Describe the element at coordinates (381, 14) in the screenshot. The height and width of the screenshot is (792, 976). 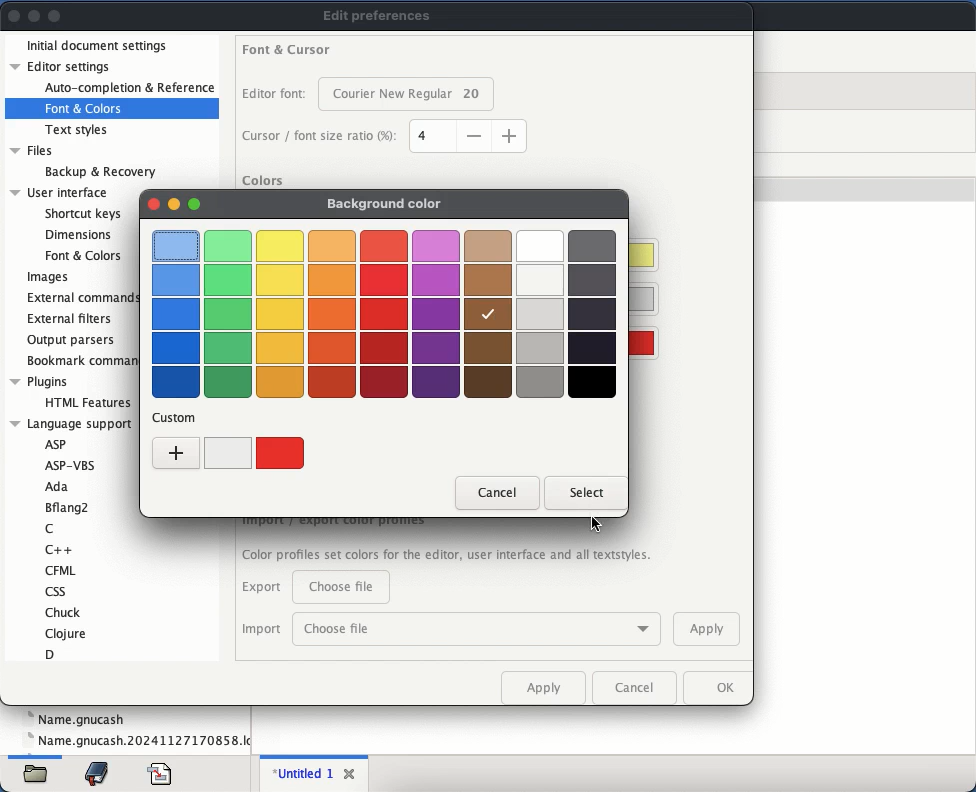
I see `edit preferences` at that location.